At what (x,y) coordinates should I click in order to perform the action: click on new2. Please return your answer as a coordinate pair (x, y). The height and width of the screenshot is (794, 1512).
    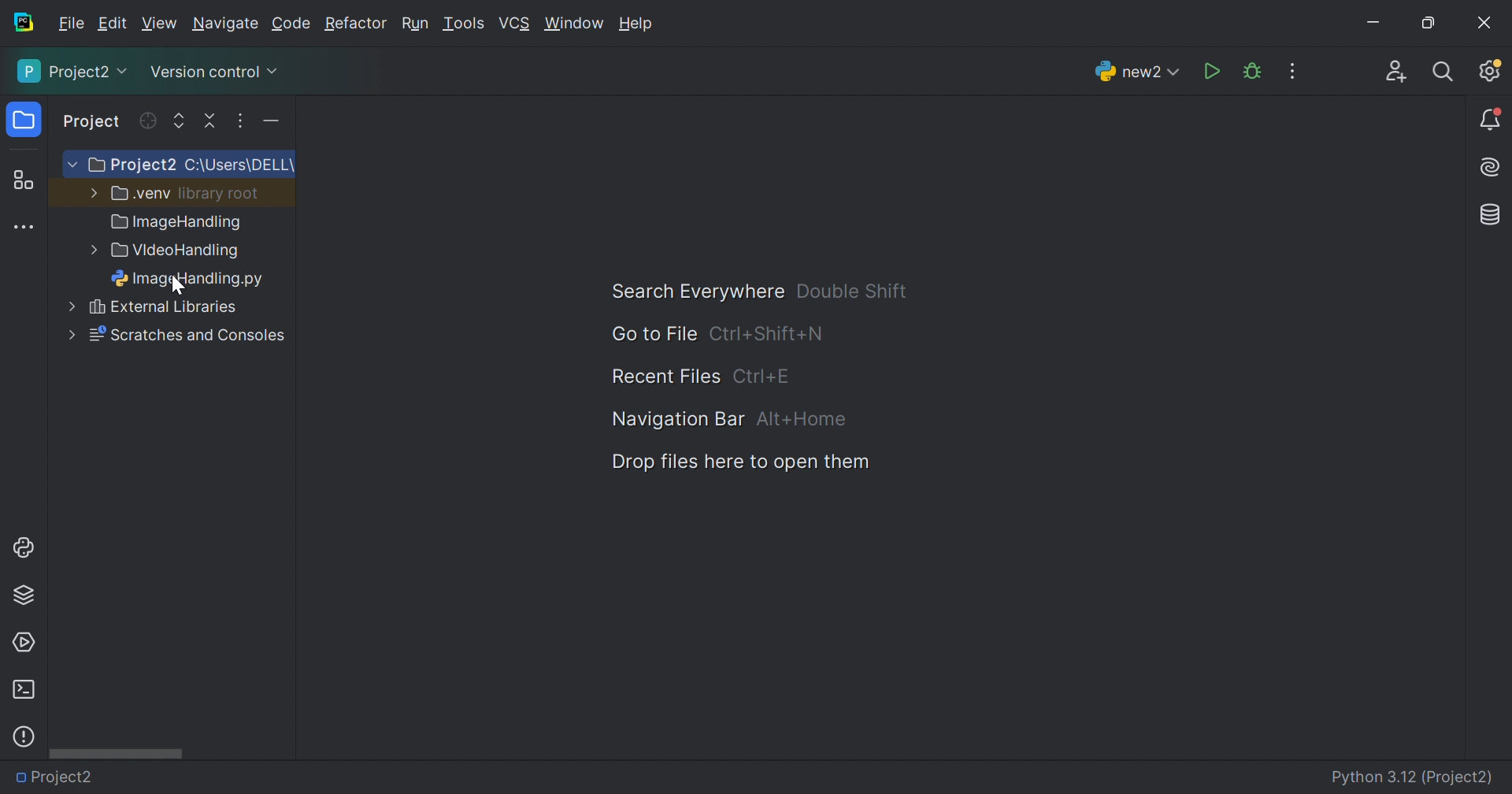
    Looking at the image, I should click on (1137, 76).